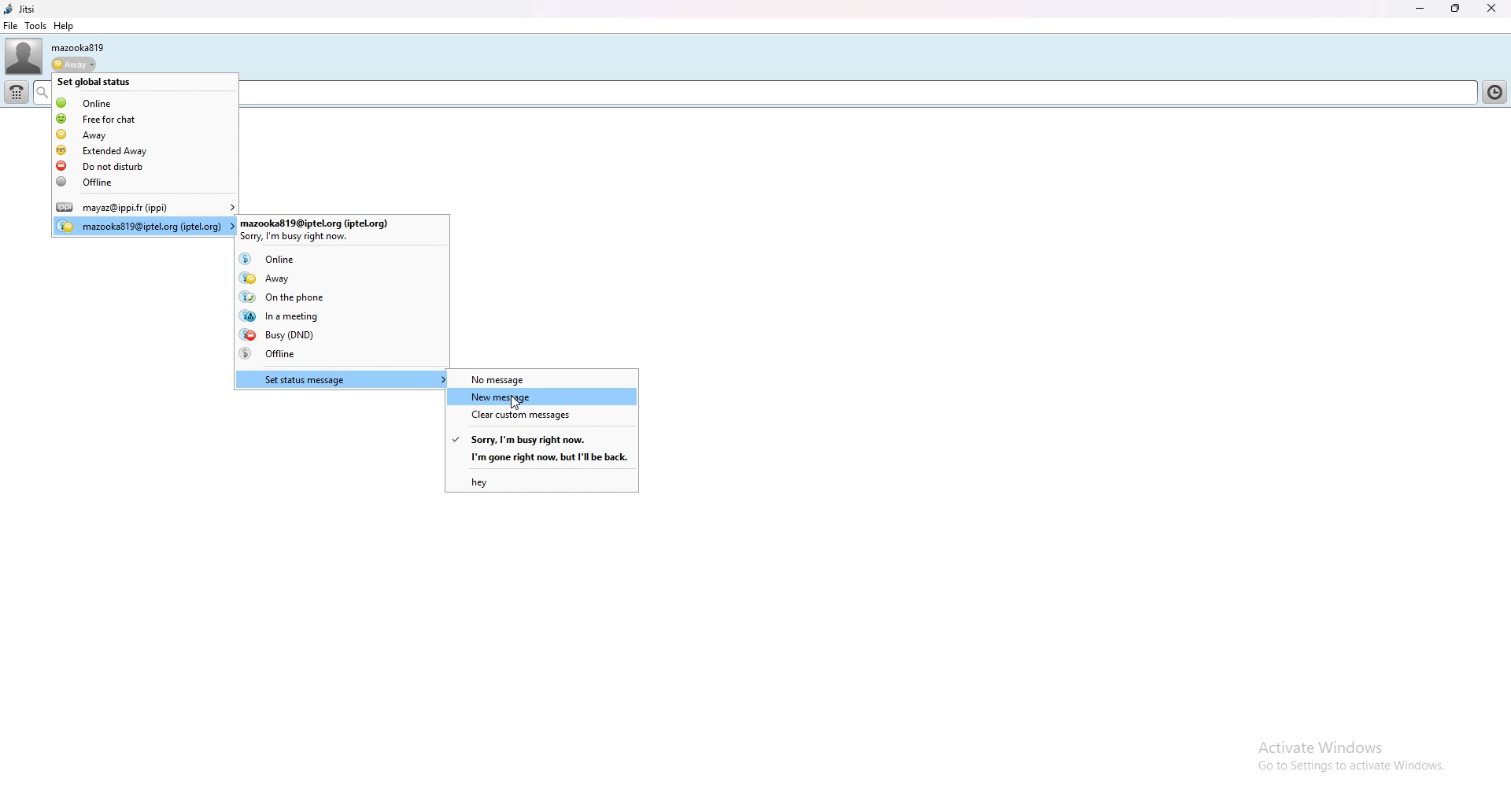 This screenshot has width=1511, height=812. What do you see at coordinates (146, 165) in the screenshot?
I see `do not disturb` at bounding box center [146, 165].